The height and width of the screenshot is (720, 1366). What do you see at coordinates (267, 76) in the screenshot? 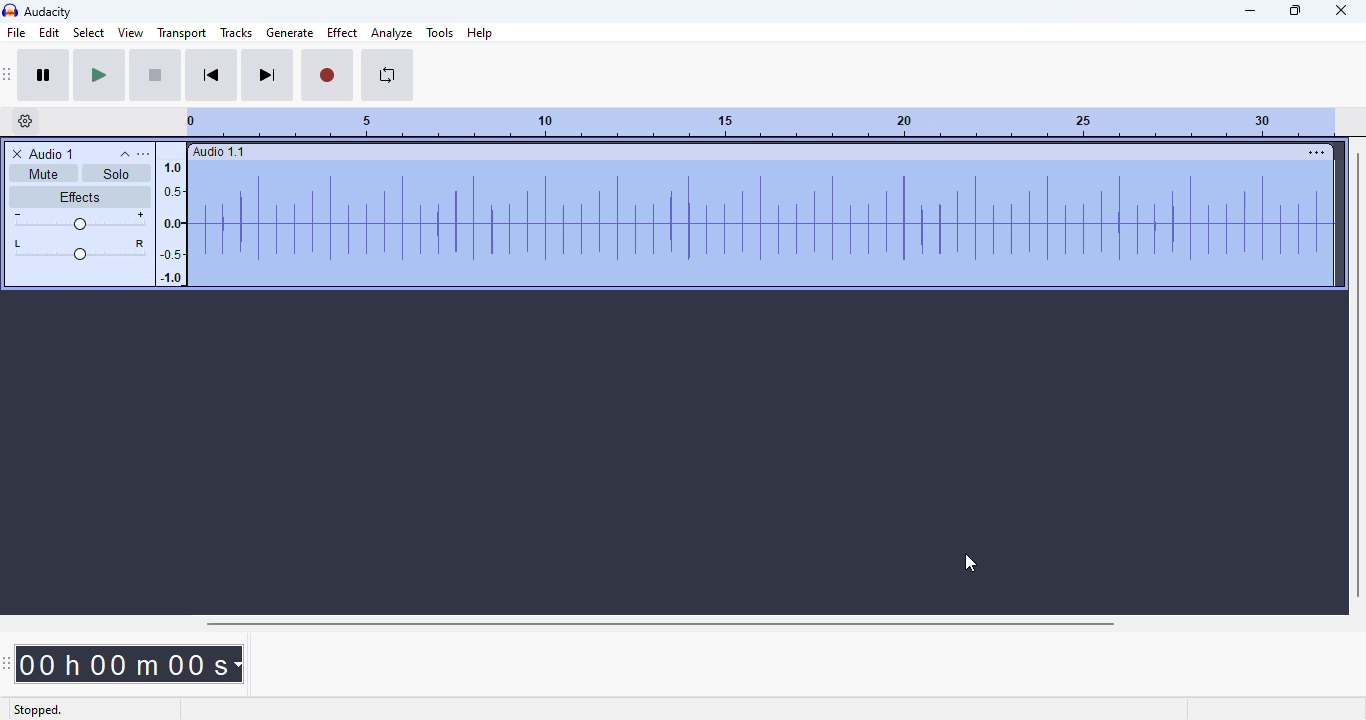
I see `skip to end` at bounding box center [267, 76].